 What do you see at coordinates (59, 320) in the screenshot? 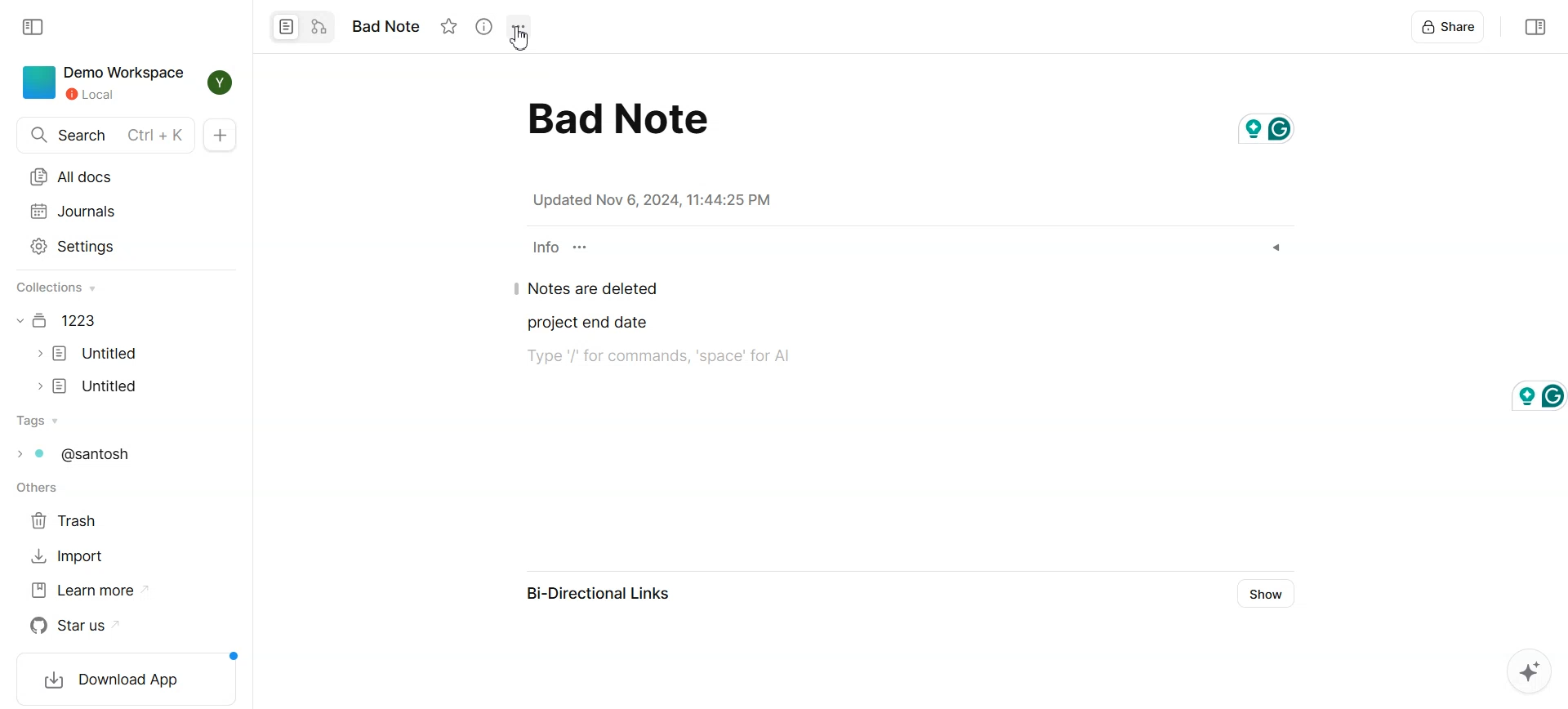
I see `Document` at bounding box center [59, 320].